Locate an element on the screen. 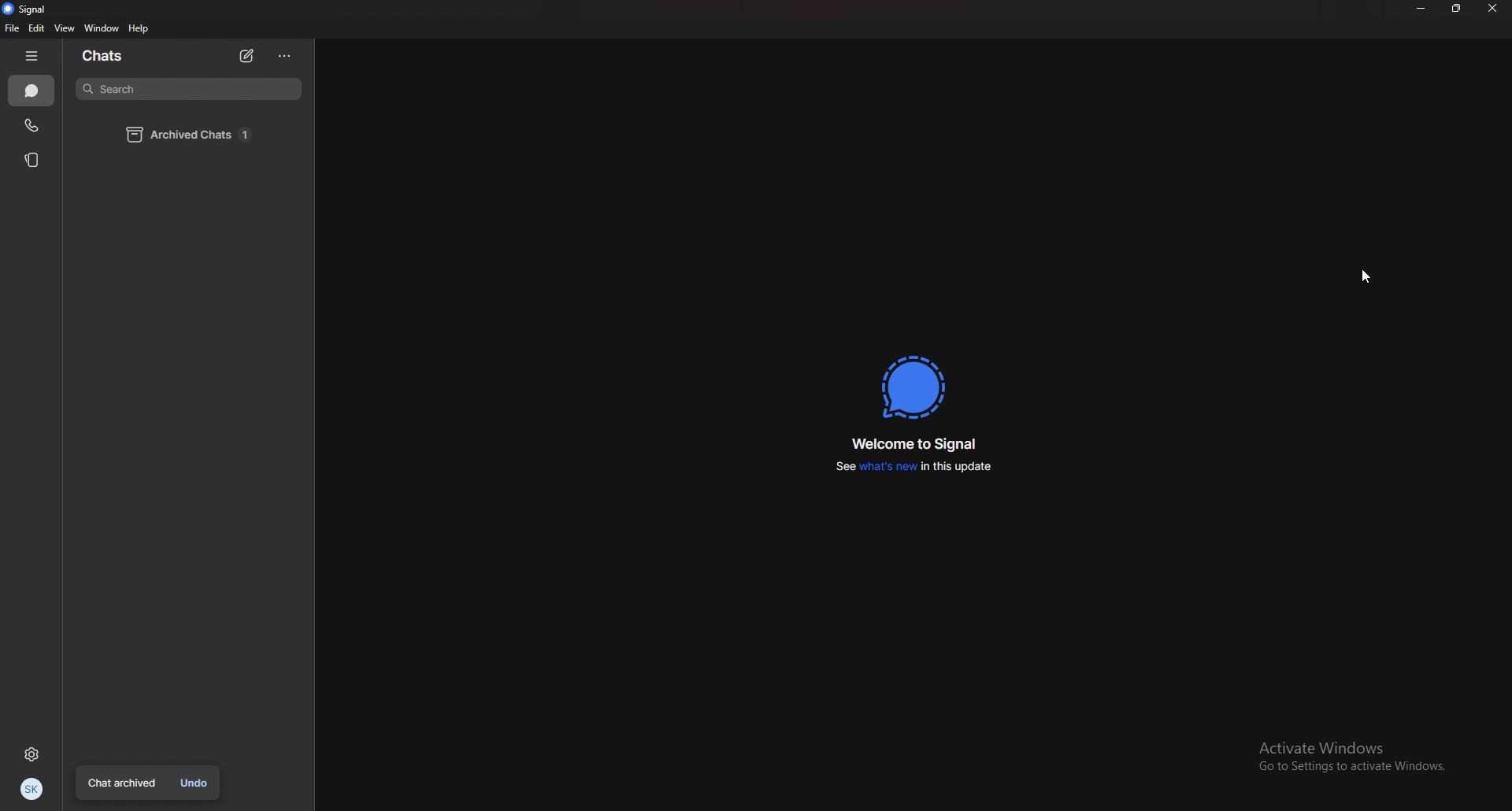 The image size is (1512, 811). Chat is located at coordinates (31, 91).